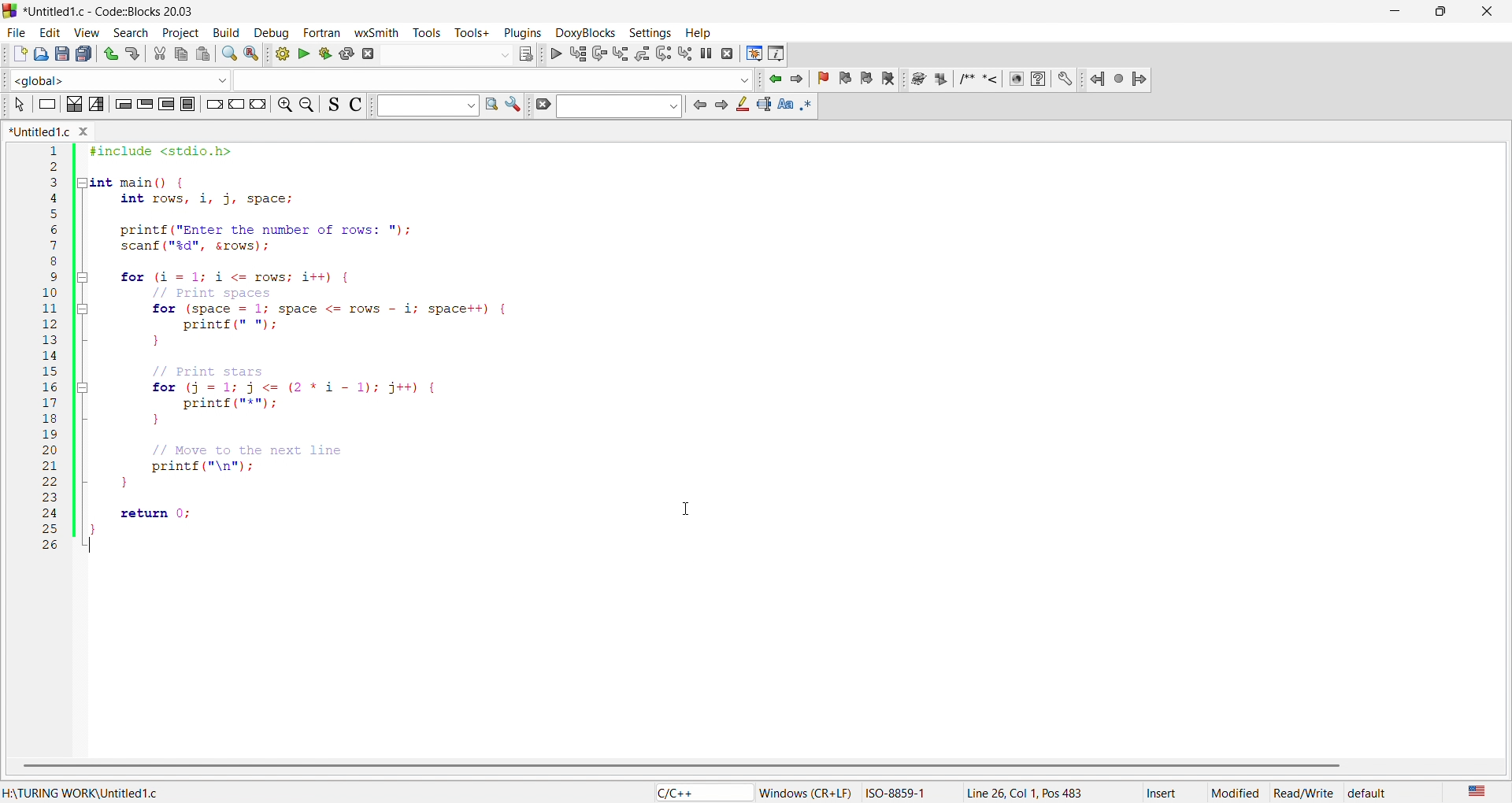  I want to click on input box, so click(494, 78).